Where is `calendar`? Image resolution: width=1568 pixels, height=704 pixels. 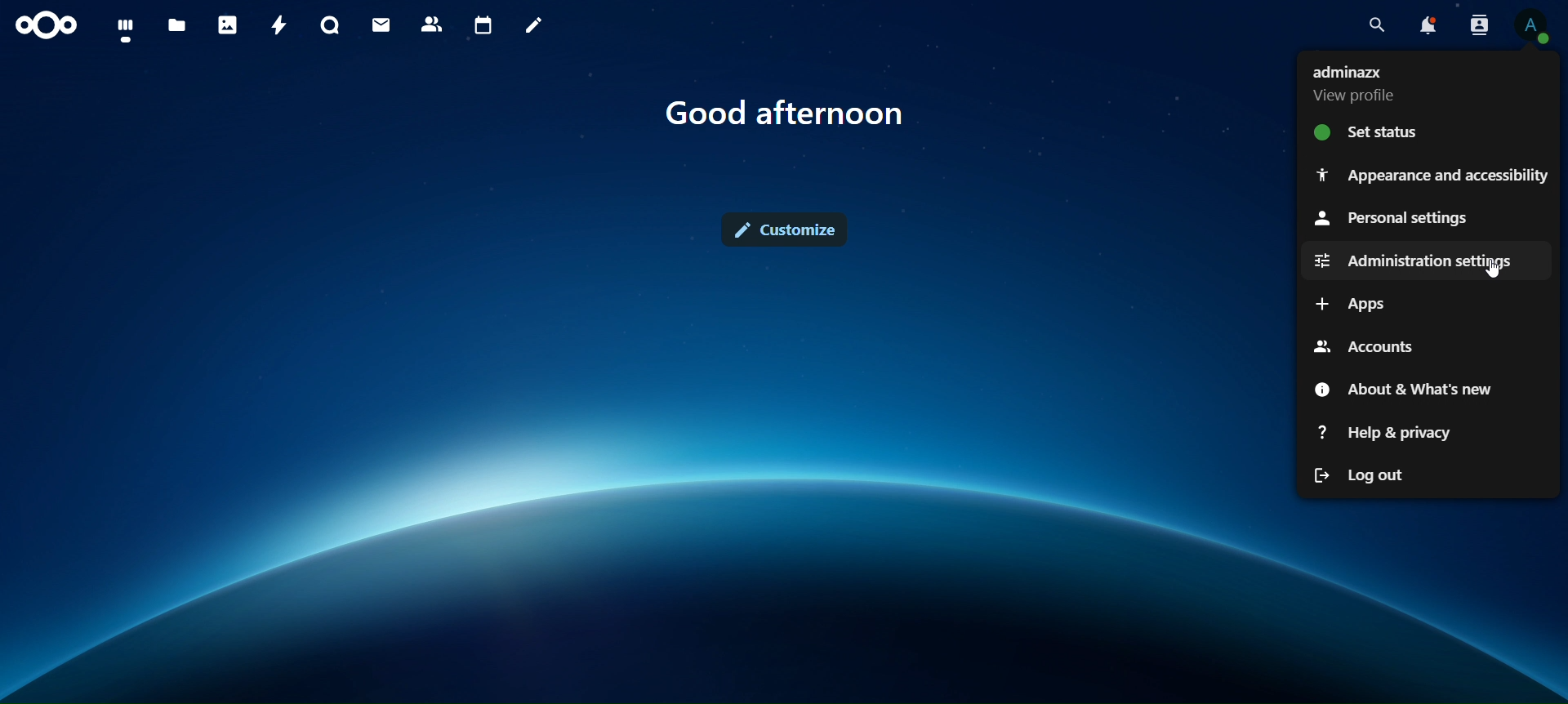 calendar is located at coordinates (483, 25).